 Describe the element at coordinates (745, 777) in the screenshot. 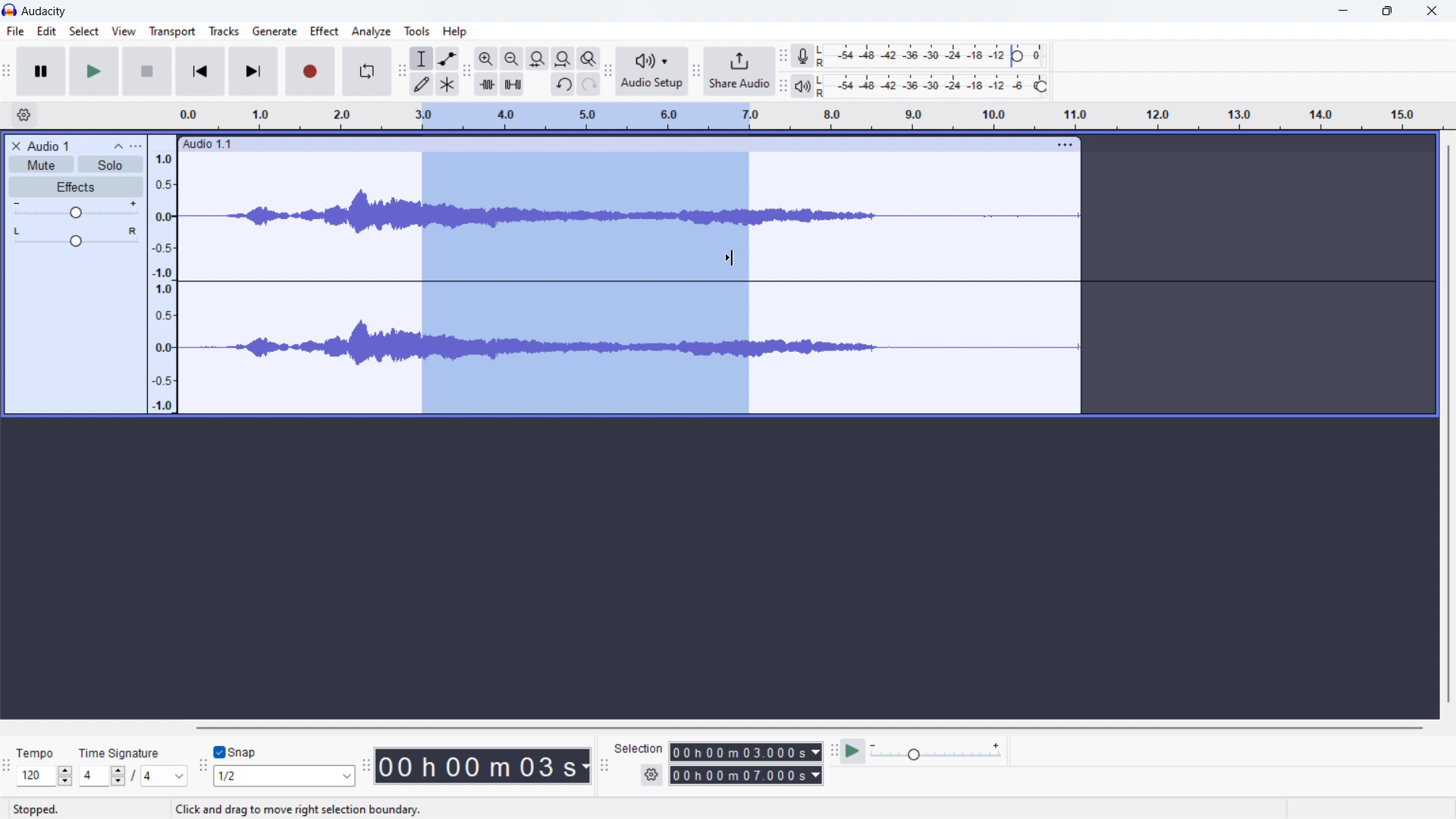

I see `00 h 00 m 07.000 s` at that location.